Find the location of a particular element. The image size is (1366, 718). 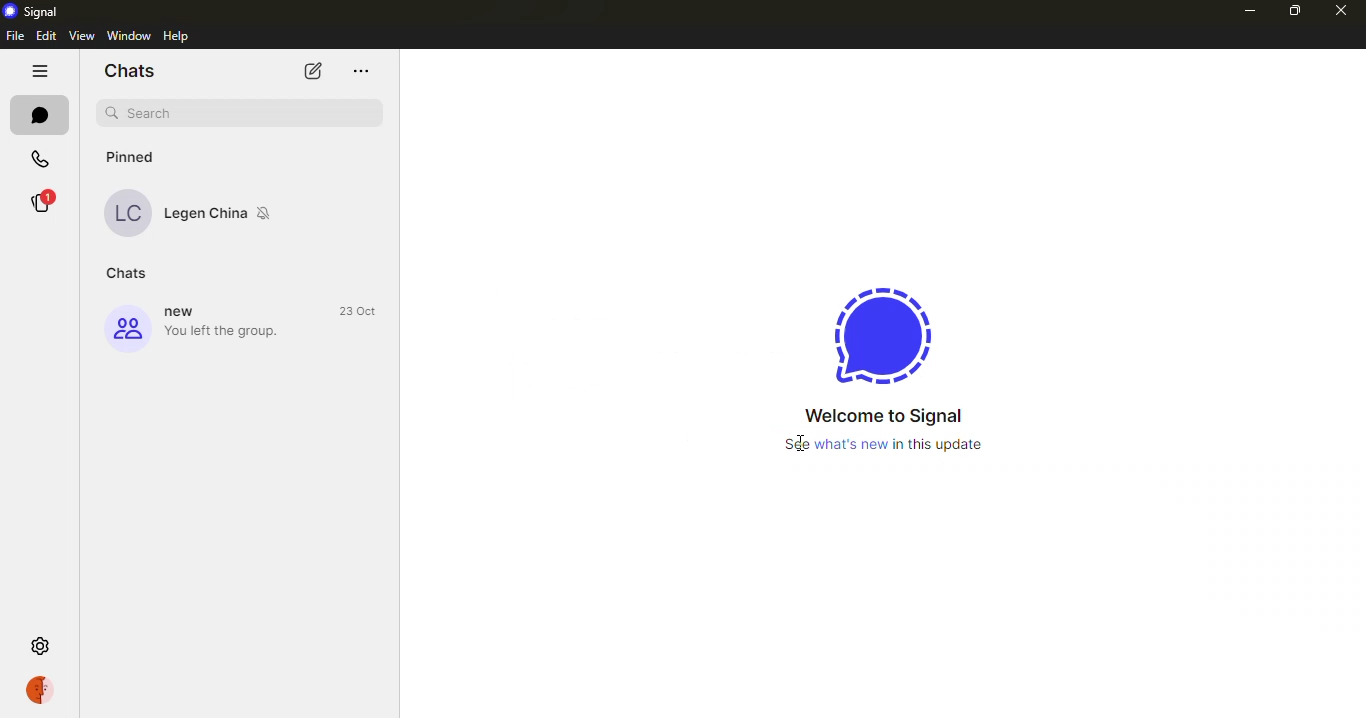

more is located at coordinates (361, 72).